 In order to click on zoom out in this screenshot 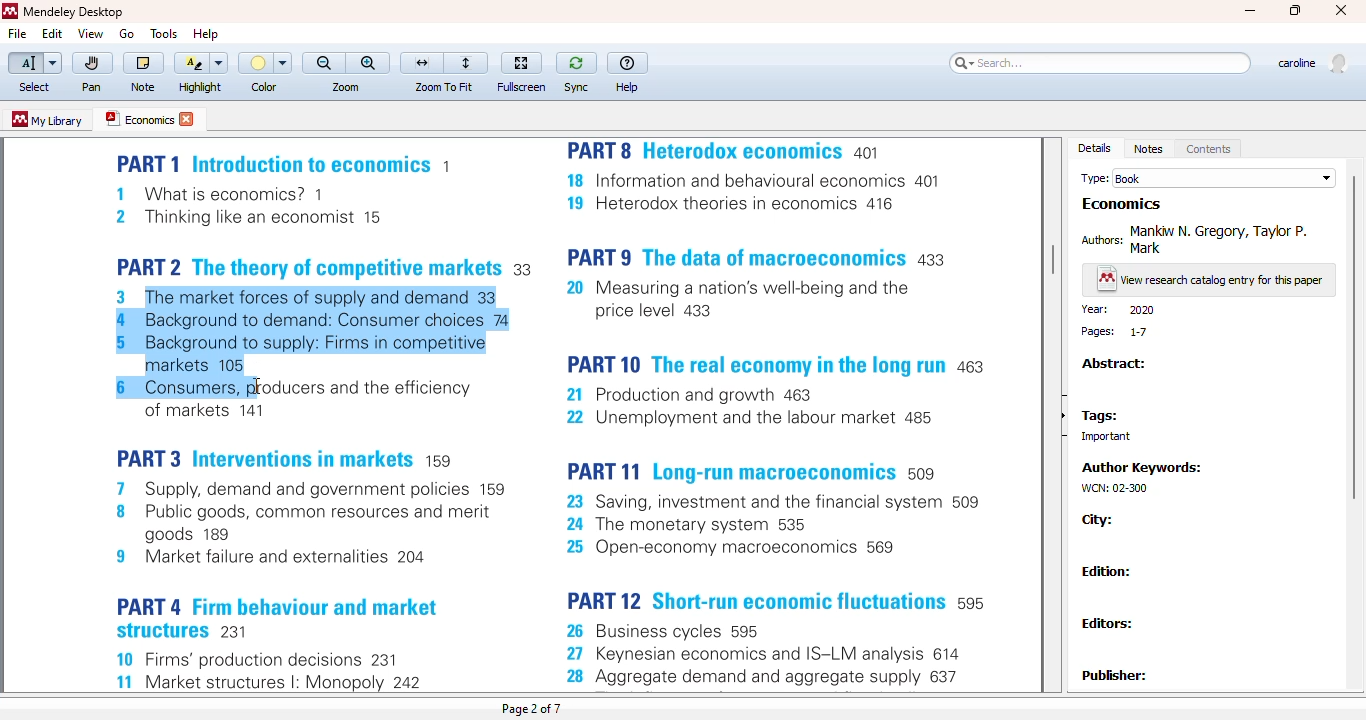, I will do `click(324, 63)`.